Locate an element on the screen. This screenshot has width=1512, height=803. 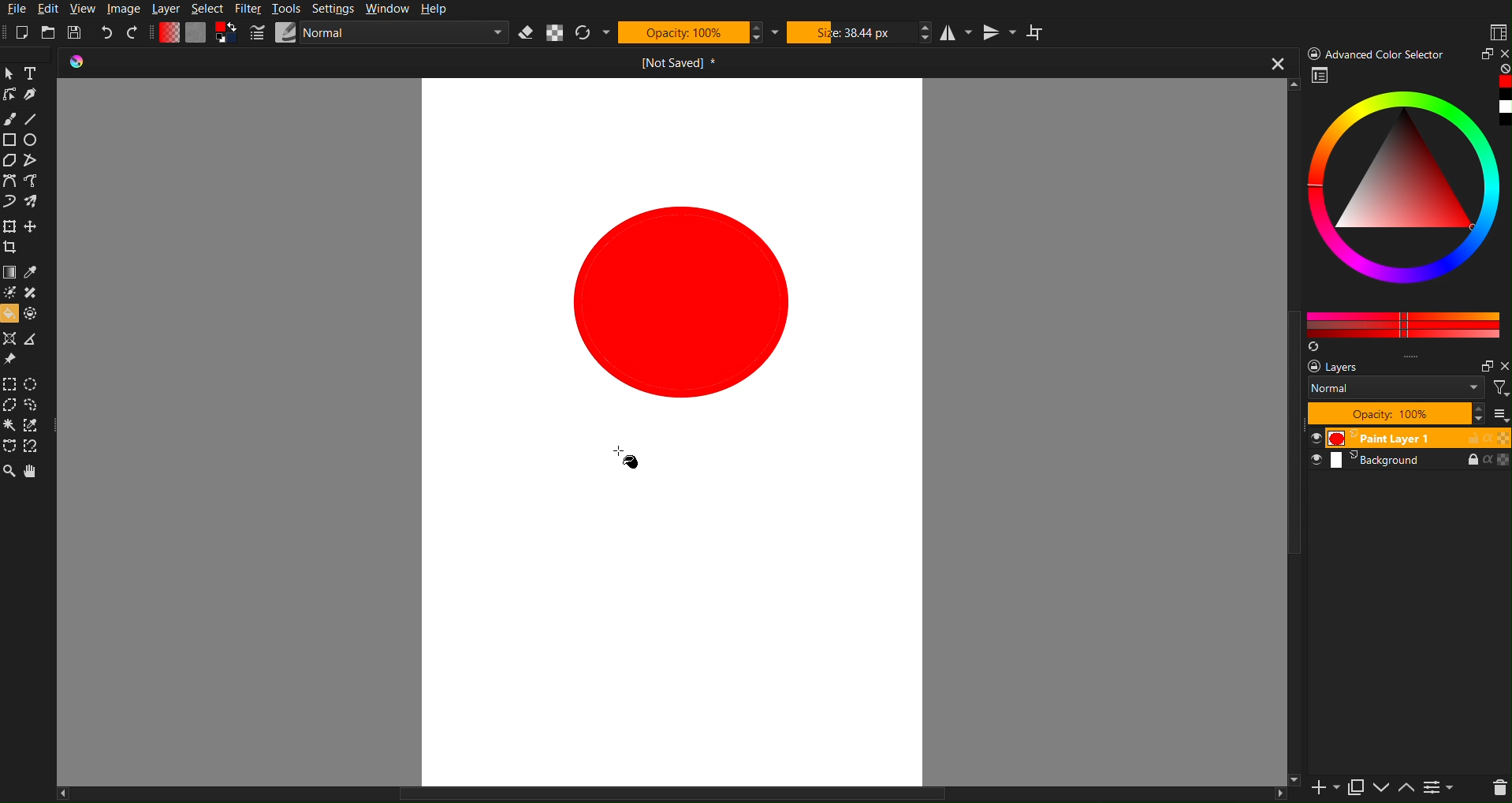
Normal is located at coordinates (390, 33).